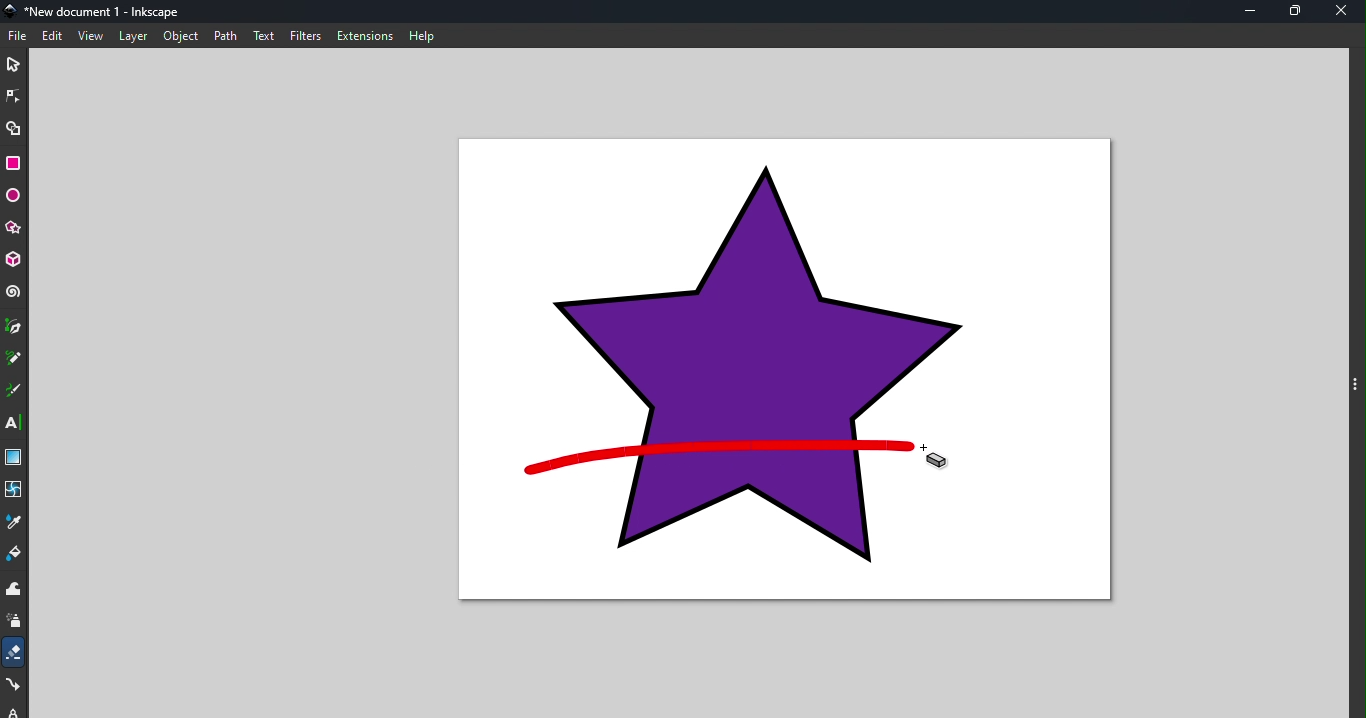 This screenshot has height=718, width=1366. Describe the element at coordinates (14, 359) in the screenshot. I see `pencil tool` at that location.